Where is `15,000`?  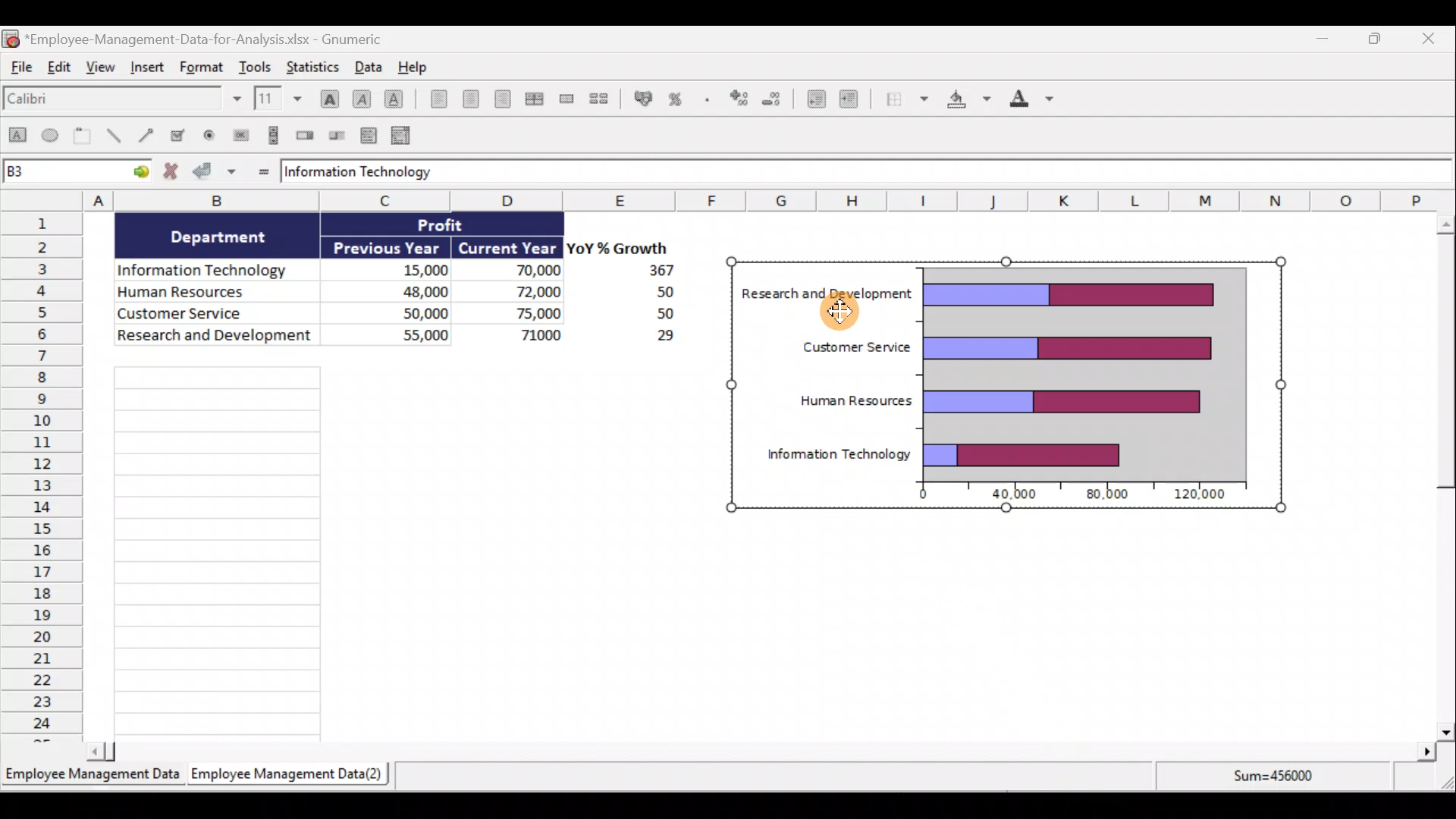 15,000 is located at coordinates (413, 268).